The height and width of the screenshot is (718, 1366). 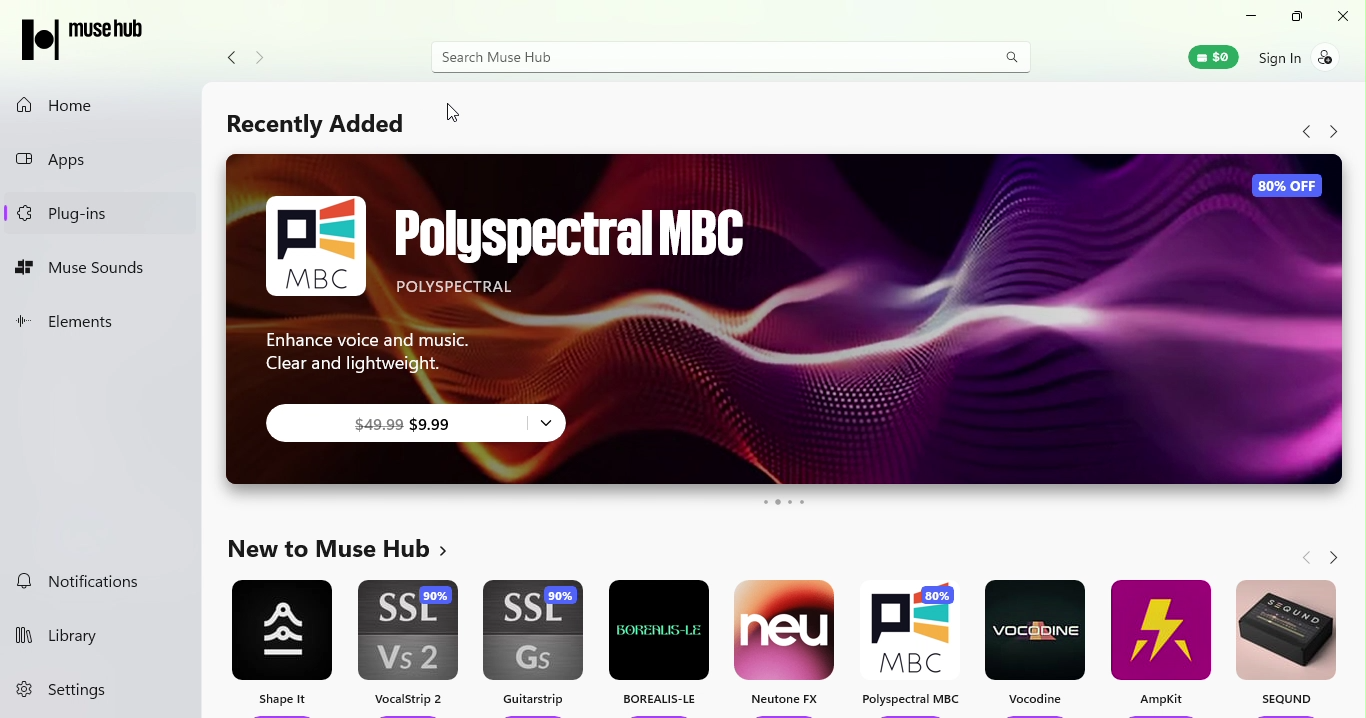 What do you see at coordinates (86, 583) in the screenshot?
I see `Notifictions` at bounding box center [86, 583].